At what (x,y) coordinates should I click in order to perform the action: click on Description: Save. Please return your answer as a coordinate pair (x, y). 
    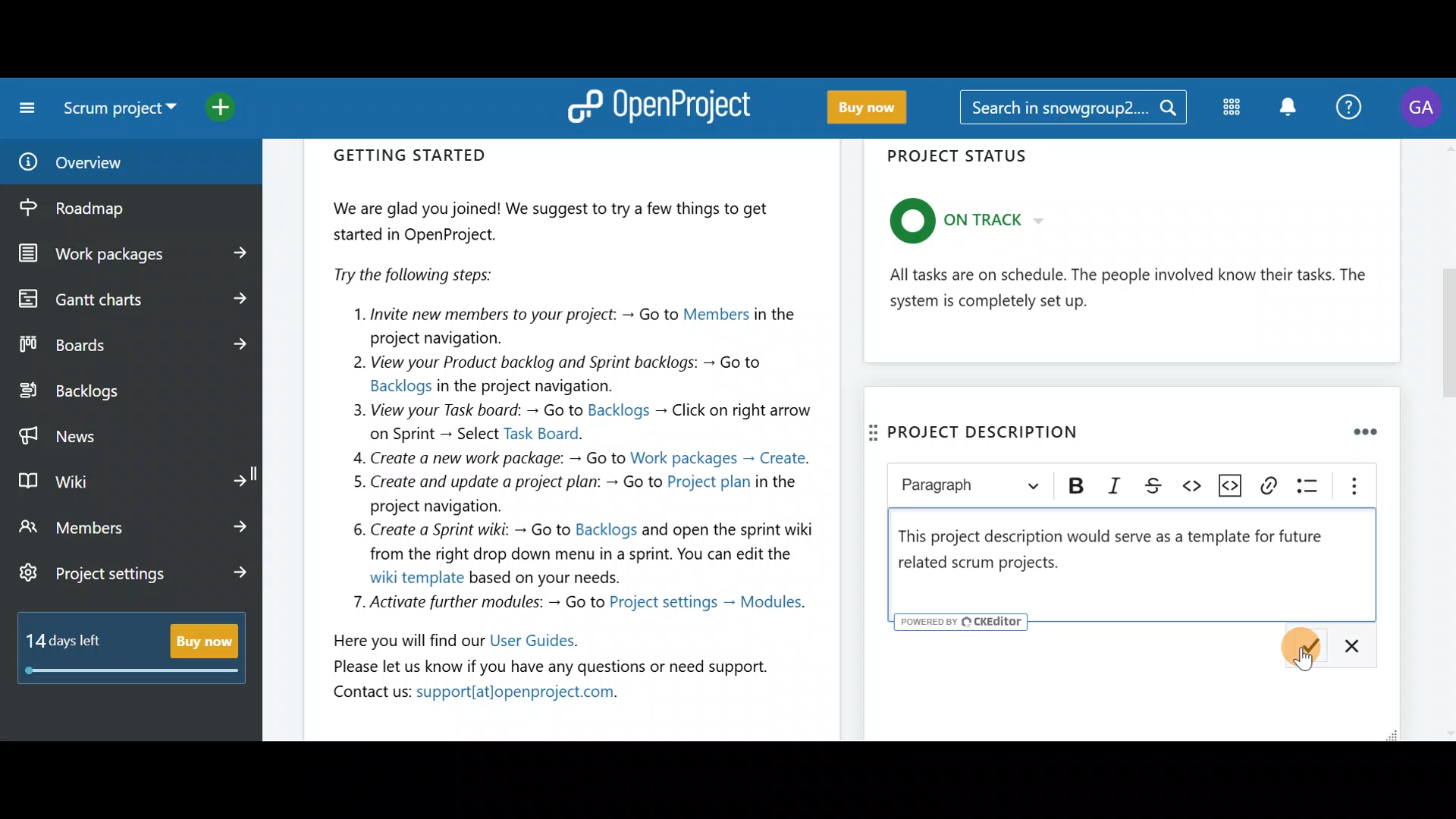
    Looking at the image, I should click on (1305, 644).